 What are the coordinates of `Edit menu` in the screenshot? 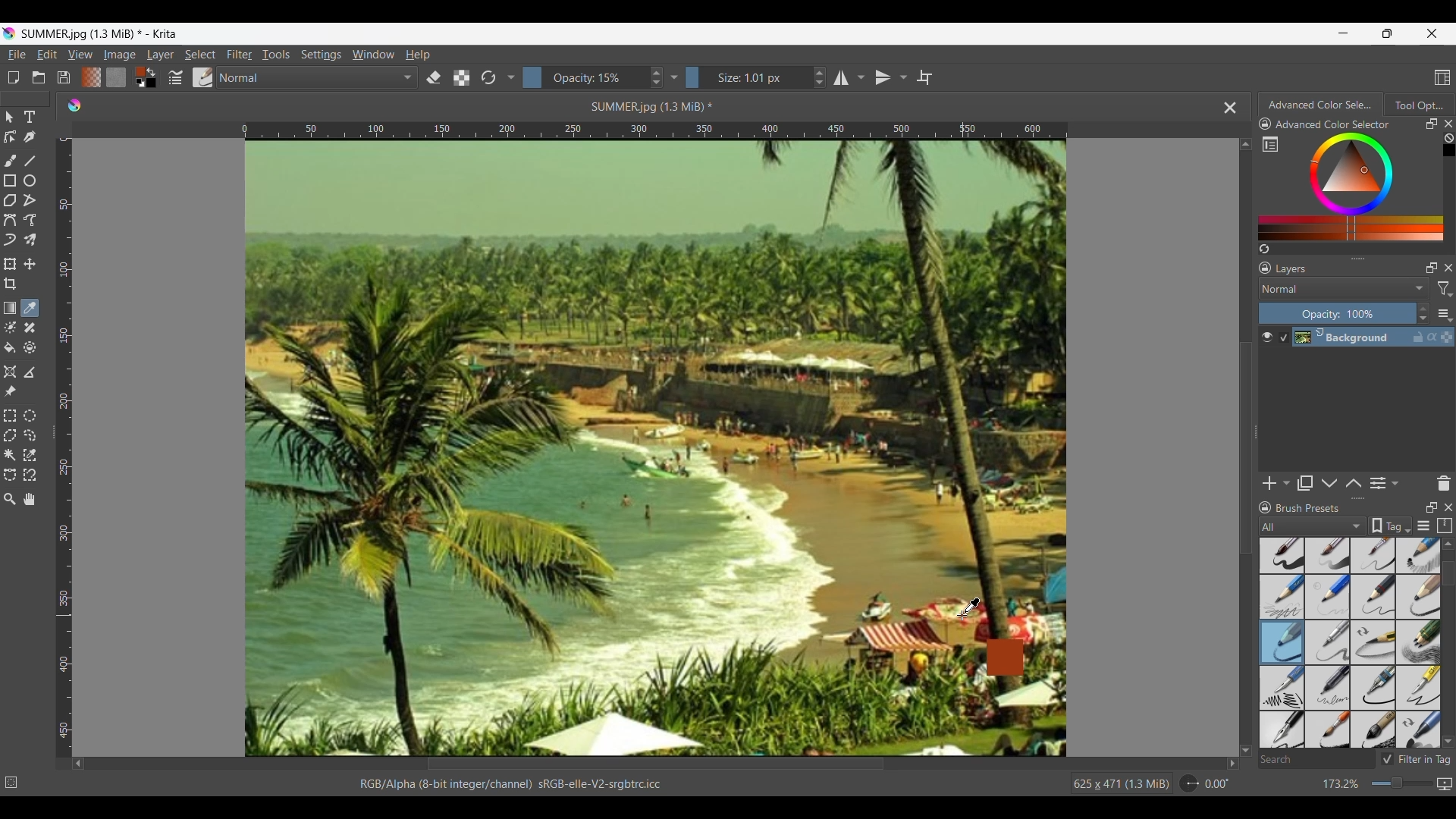 It's located at (45, 54).